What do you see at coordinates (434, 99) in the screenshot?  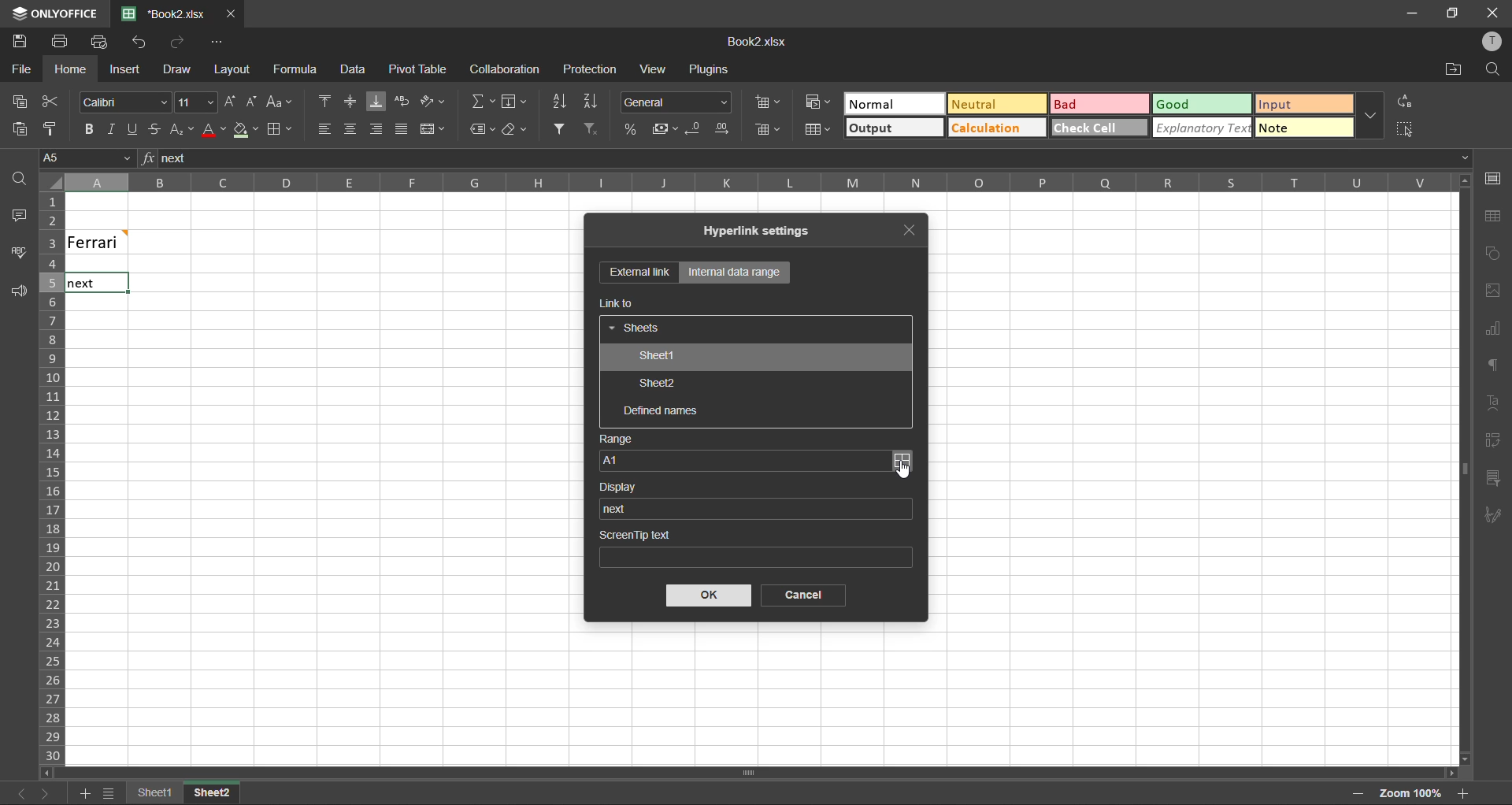 I see `orientation` at bounding box center [434, 99].